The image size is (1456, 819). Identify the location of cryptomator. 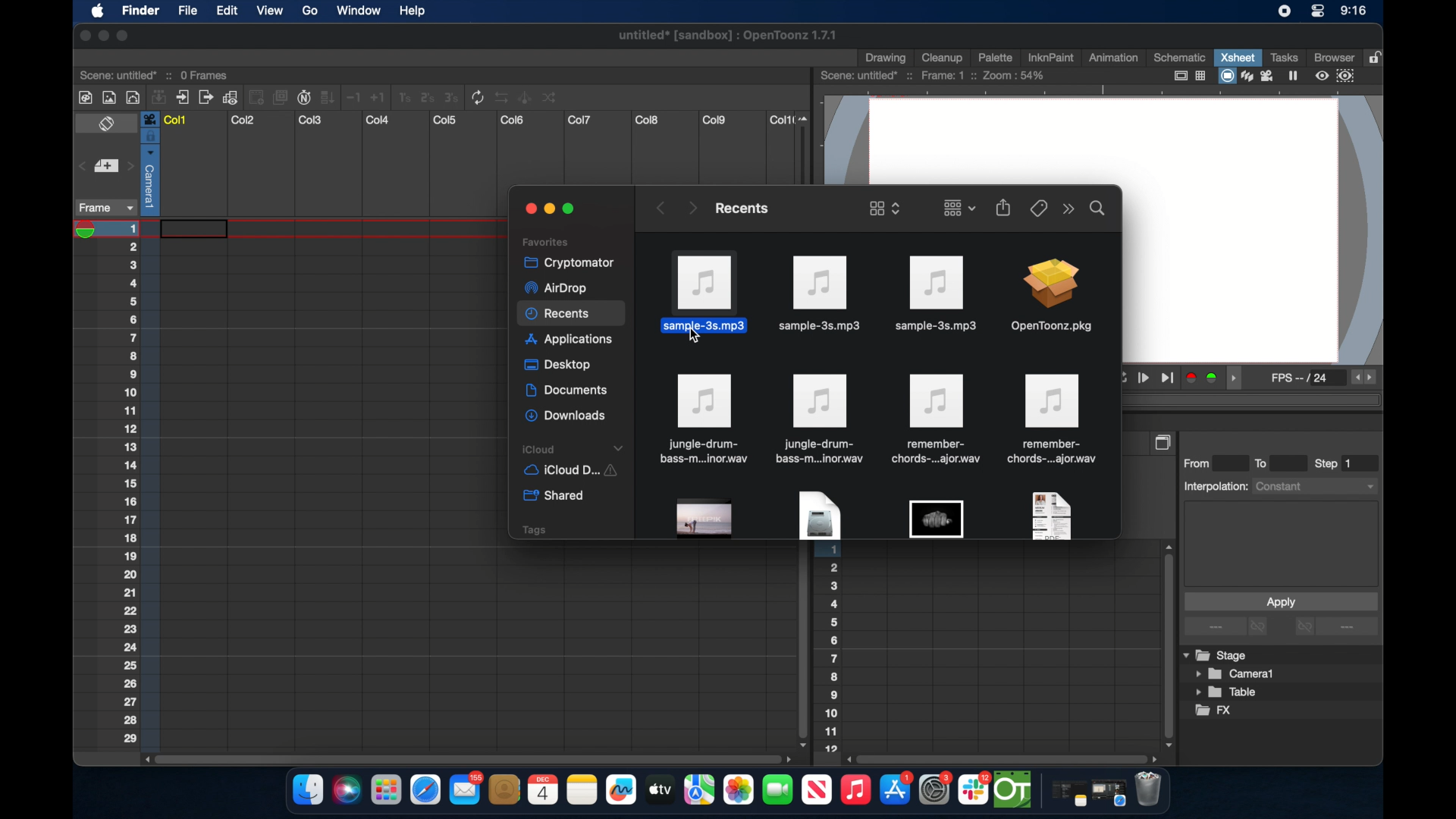
(564, 262).